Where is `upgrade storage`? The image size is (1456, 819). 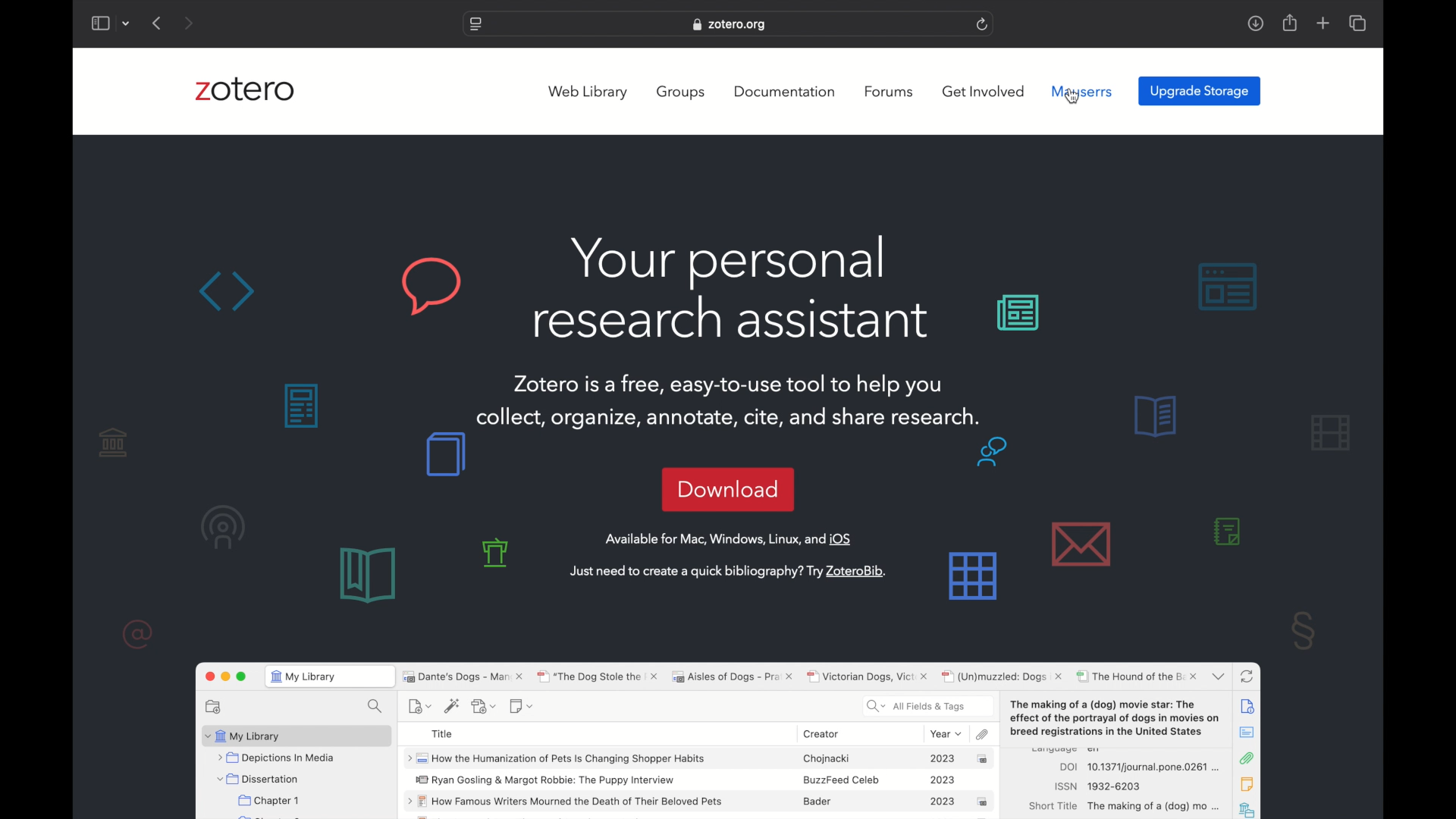 upgrade storage is located at coordinates (1200, 91).